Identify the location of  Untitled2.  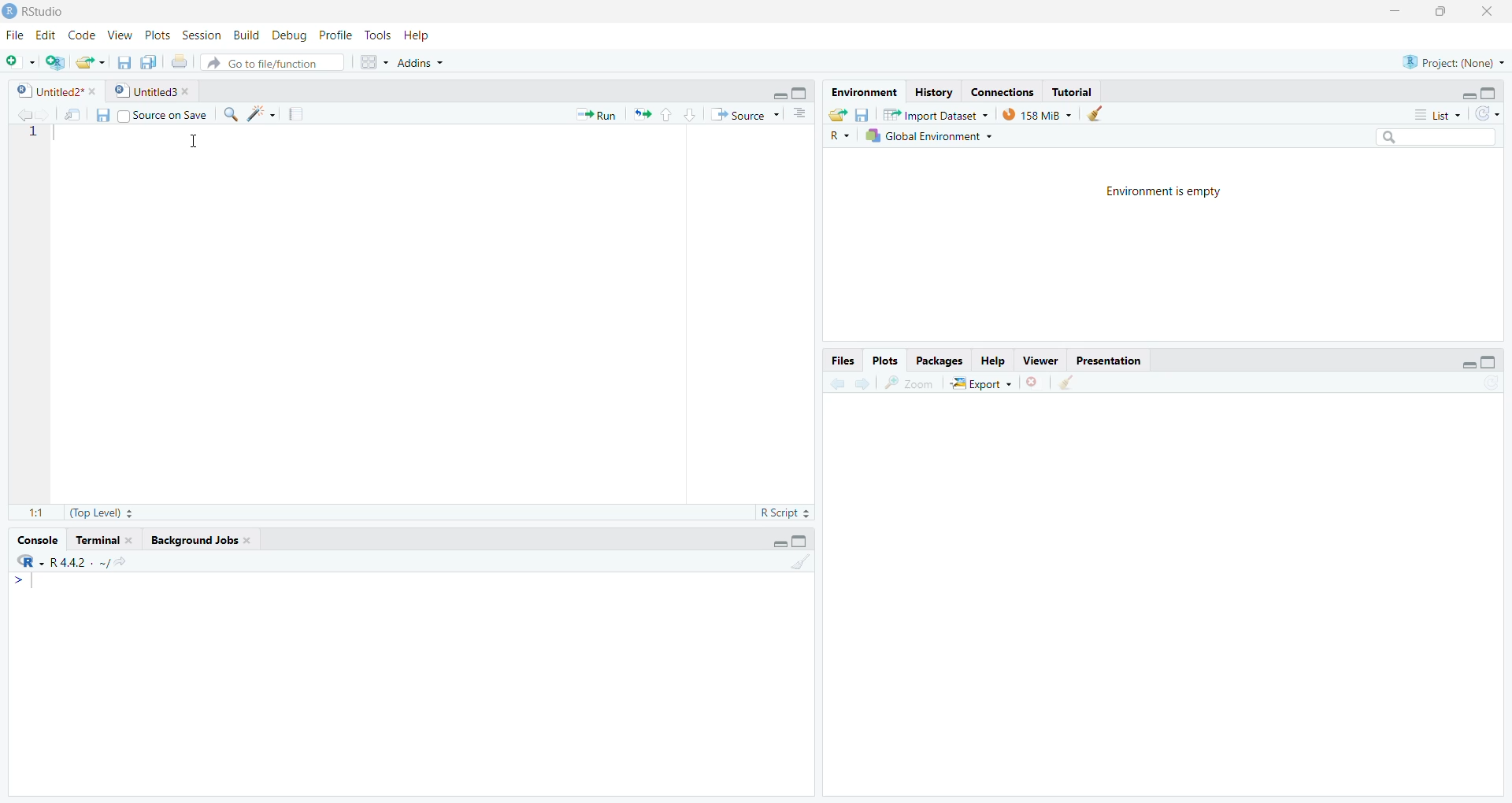
(51, 89).